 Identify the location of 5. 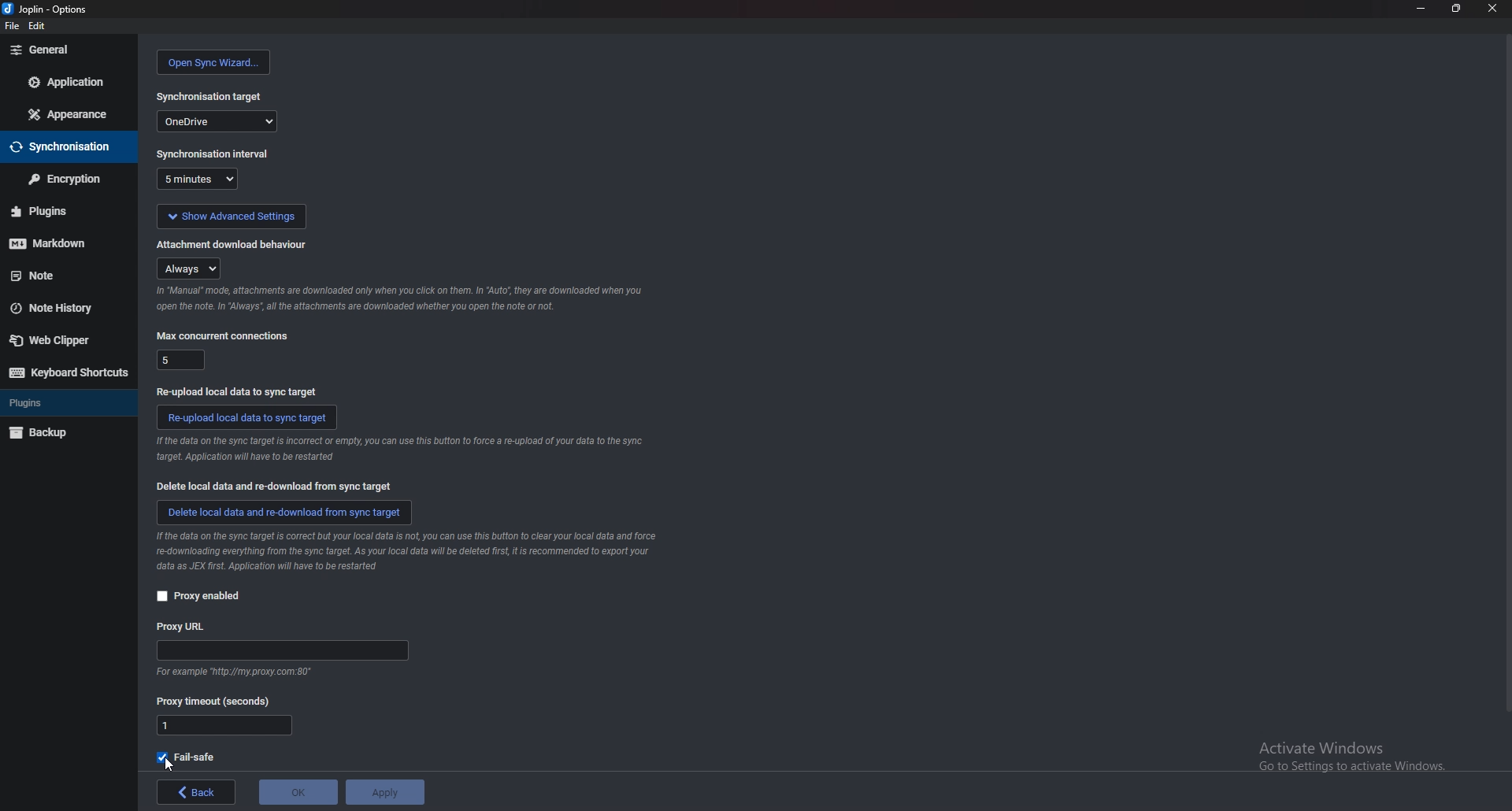
(180, 360).